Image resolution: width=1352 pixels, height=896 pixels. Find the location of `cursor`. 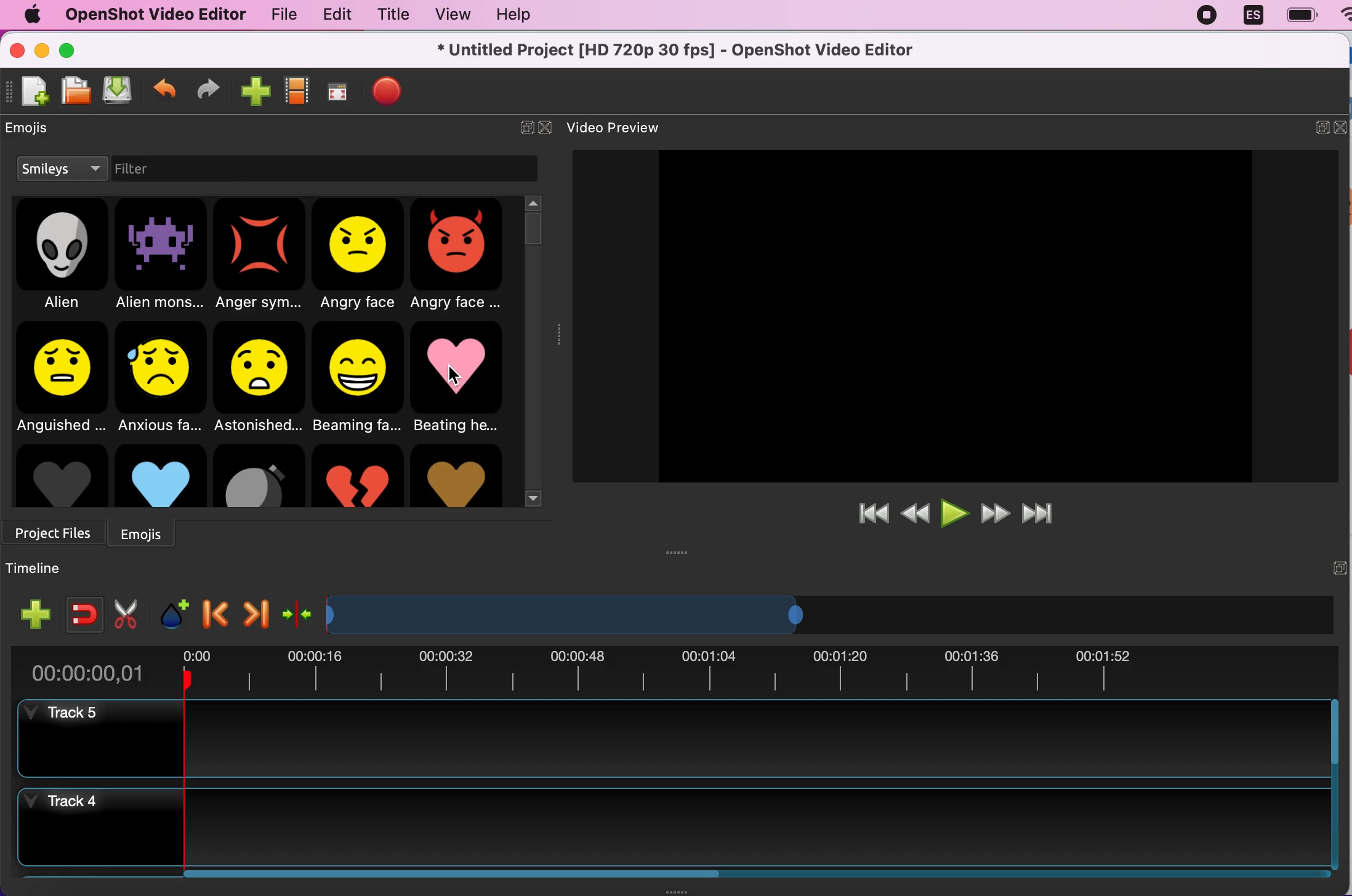

cursor is located at coordinates (455, 376).